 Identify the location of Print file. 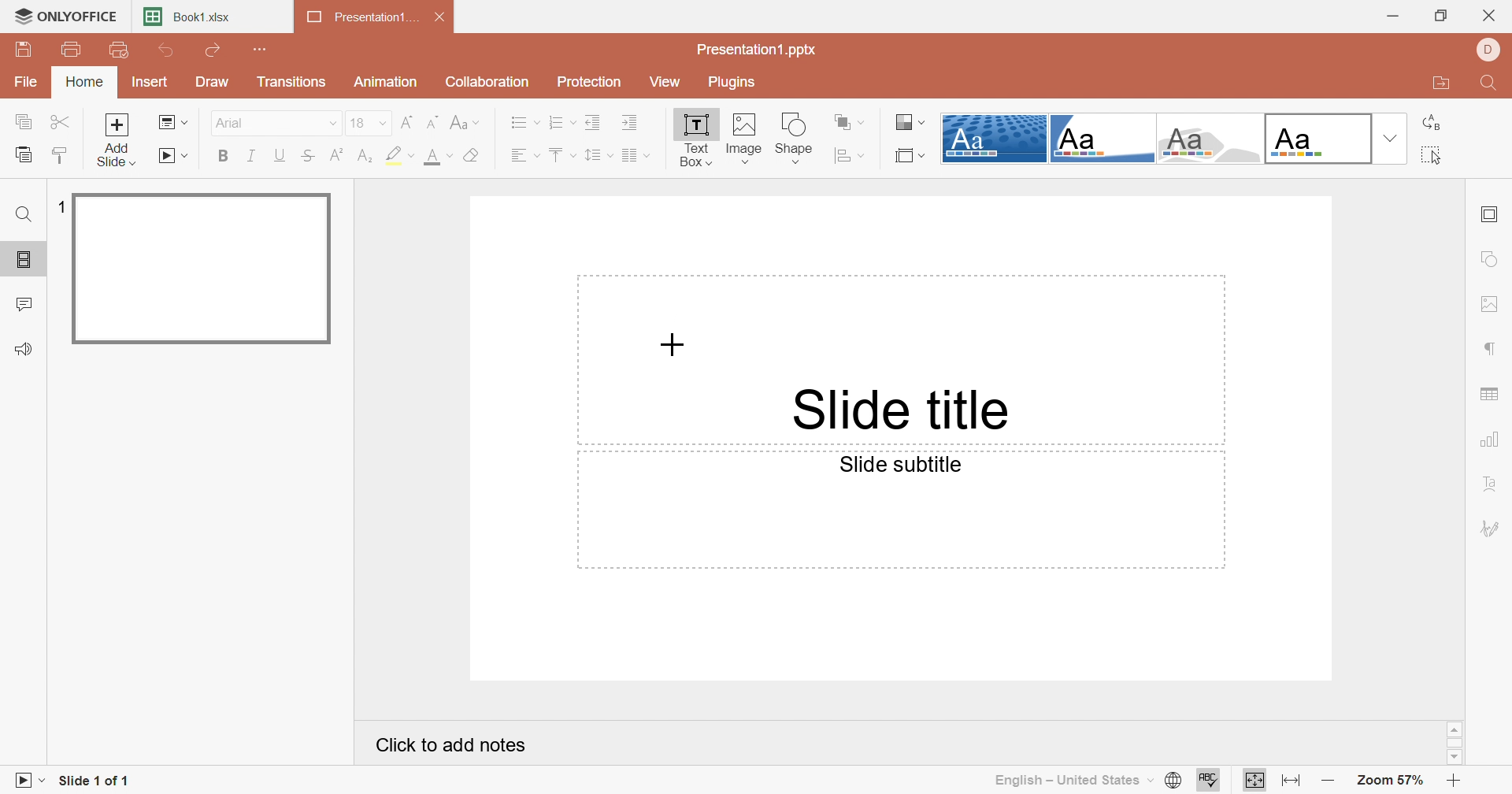
(75, 52).